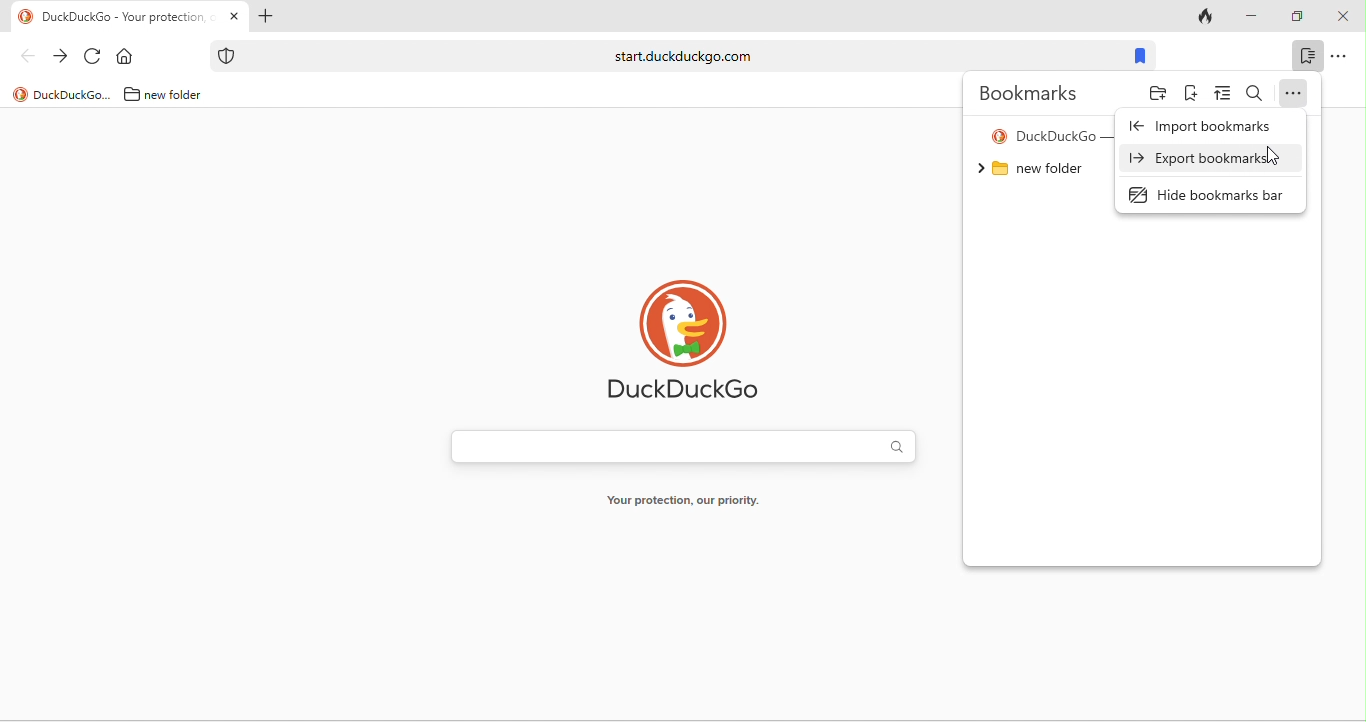 This screenshot has height=722, width=1366. Describe the element at coordinates (1252, 17) in the screenshot. I see `minimize` at that location.